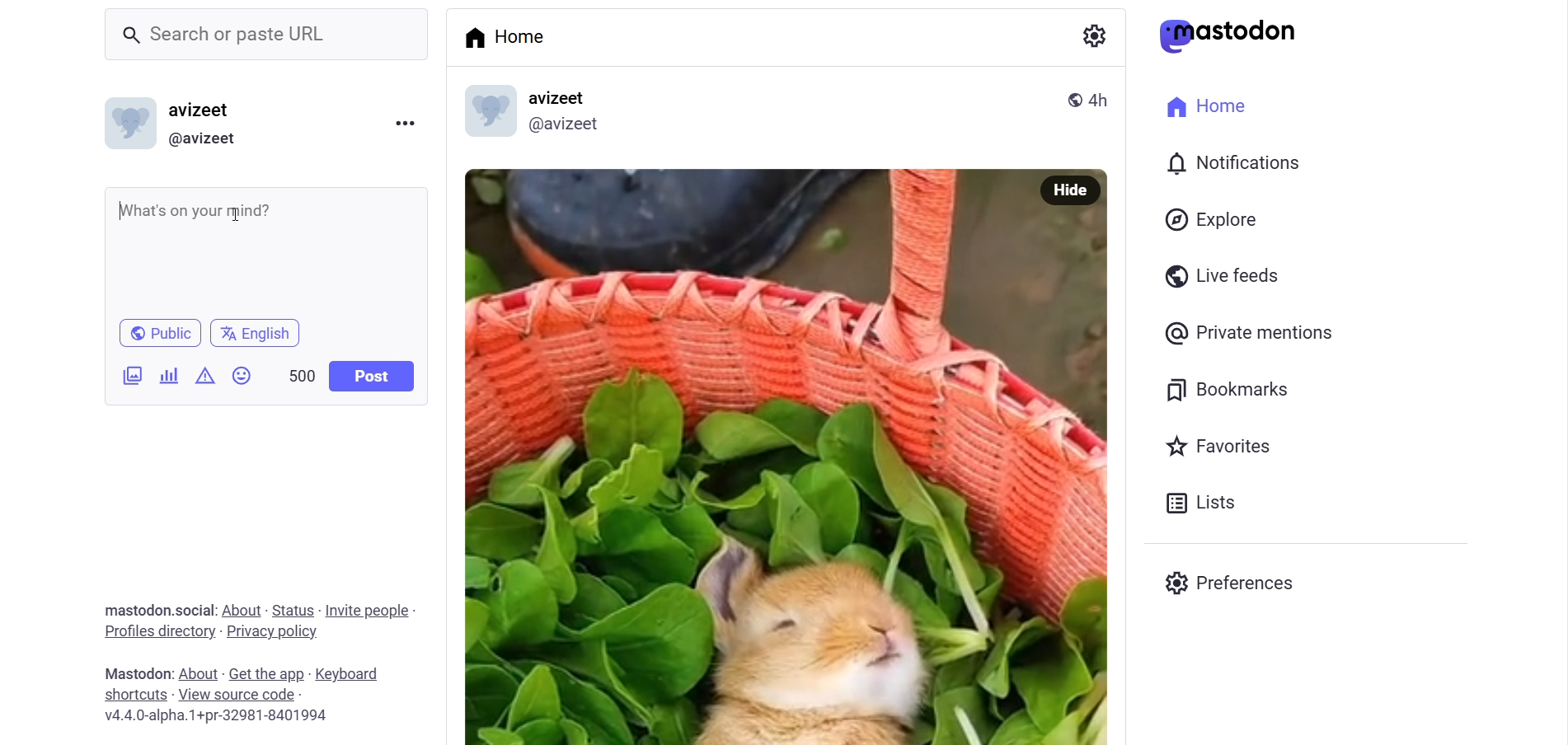 The image size is (1568, 745). Describe the element at coordinates (133, 608) in the screenshot. I see `mastodon` at that location.